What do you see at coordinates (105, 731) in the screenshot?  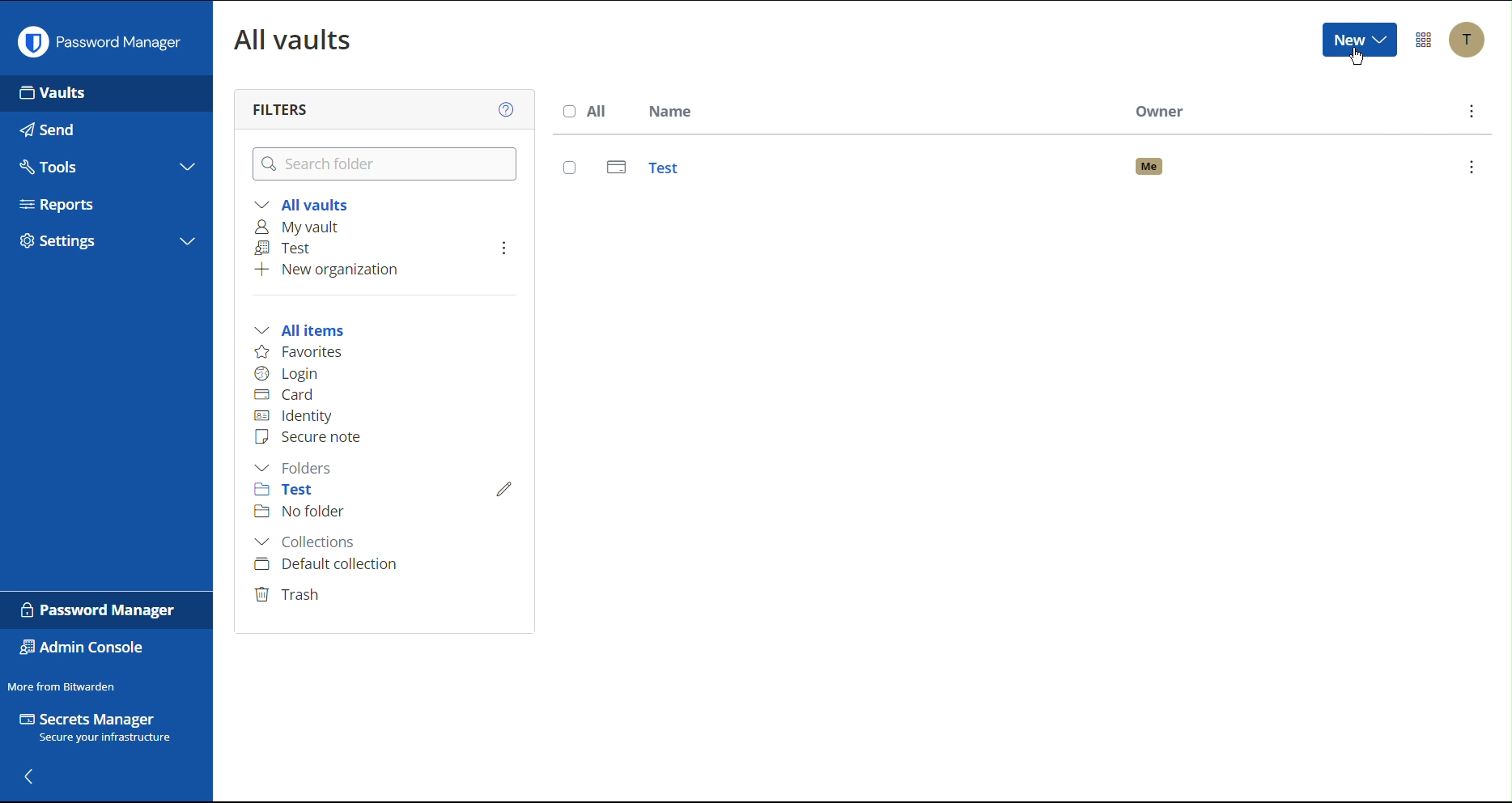 I see `Secrets Manager` at bounding box center [105, 731].